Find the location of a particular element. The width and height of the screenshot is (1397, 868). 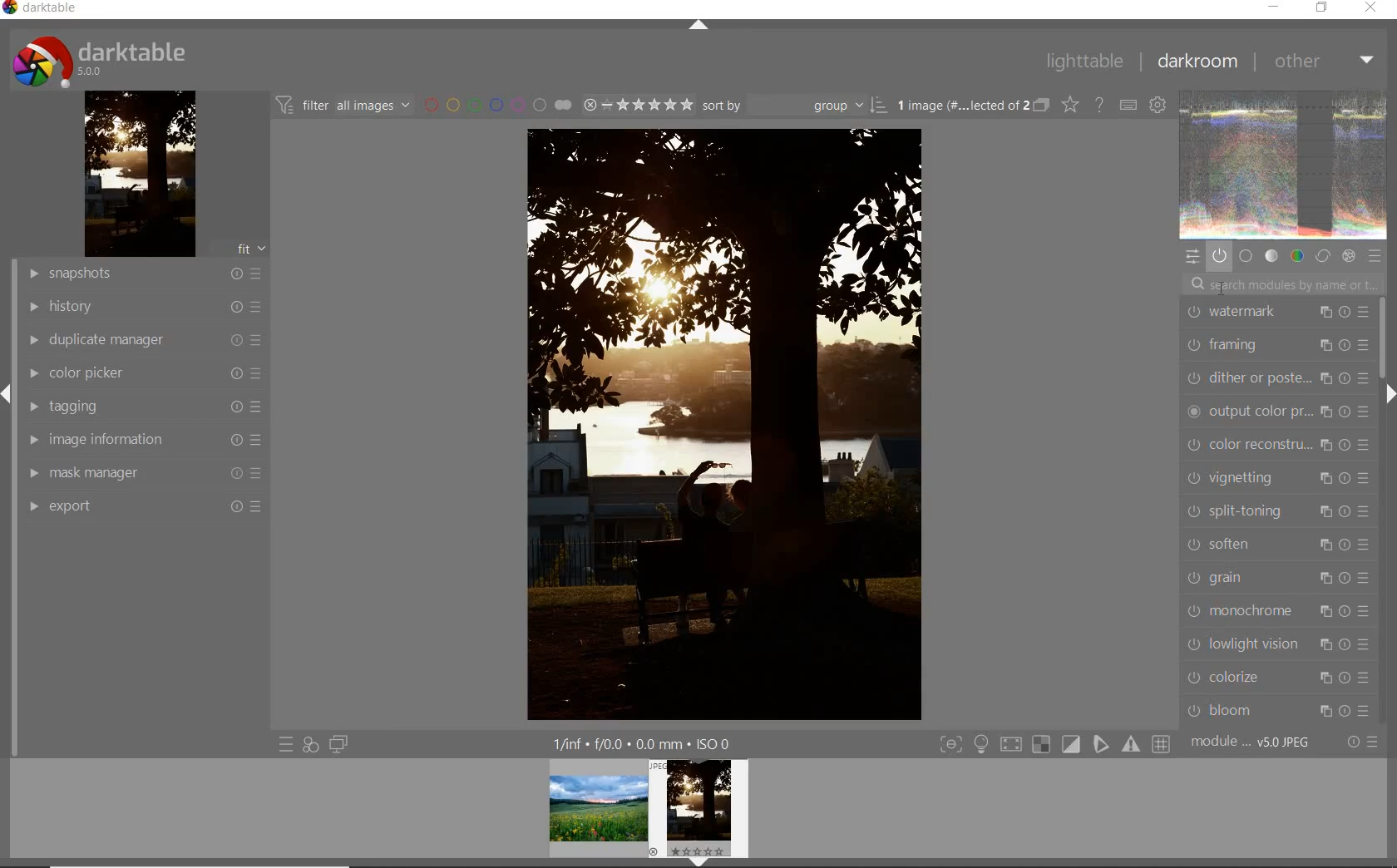

define keyboard shortcuts is located at coordinates (1131, 105).